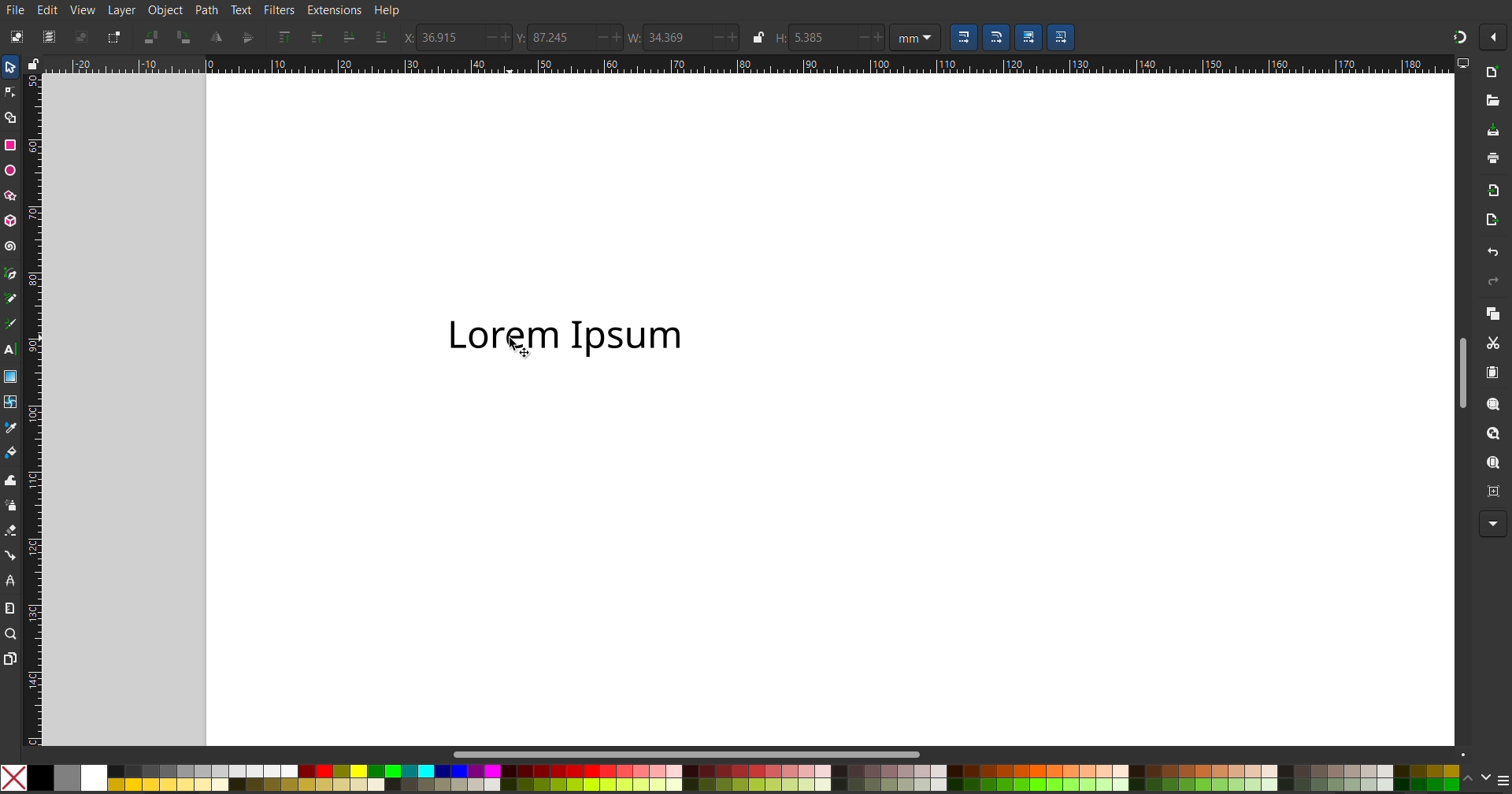 The image size is (1512, 794). What do you see at coordinates (153, 39) in the screenshot?
I see `Rotate CCW` at bounding box center [153, 39].